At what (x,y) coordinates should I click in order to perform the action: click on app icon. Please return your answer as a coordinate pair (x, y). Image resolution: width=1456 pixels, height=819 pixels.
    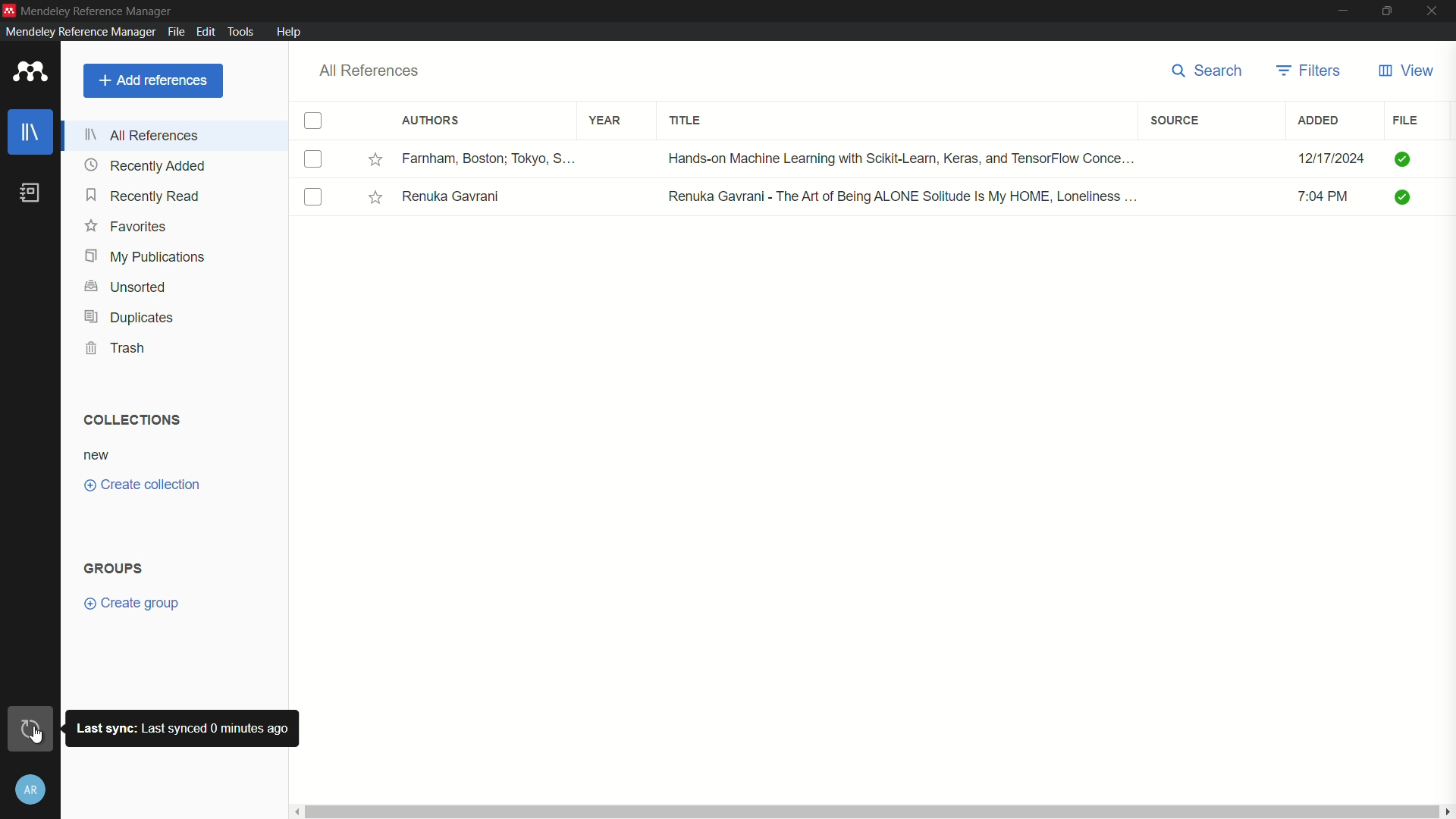
    Looking at the image, I should click on (9, 10).